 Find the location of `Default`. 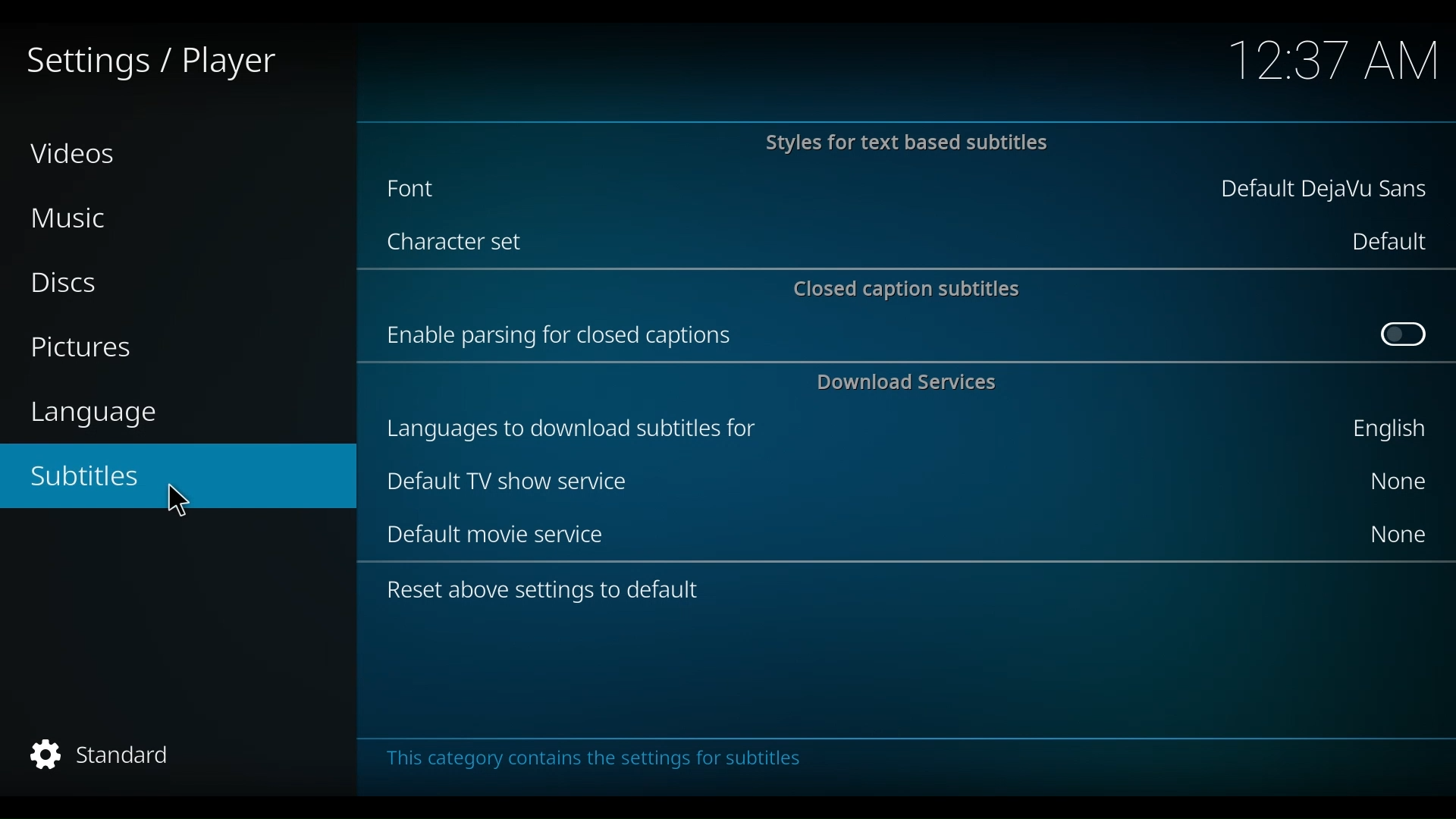

Default is located at coordinates (1387, 241).